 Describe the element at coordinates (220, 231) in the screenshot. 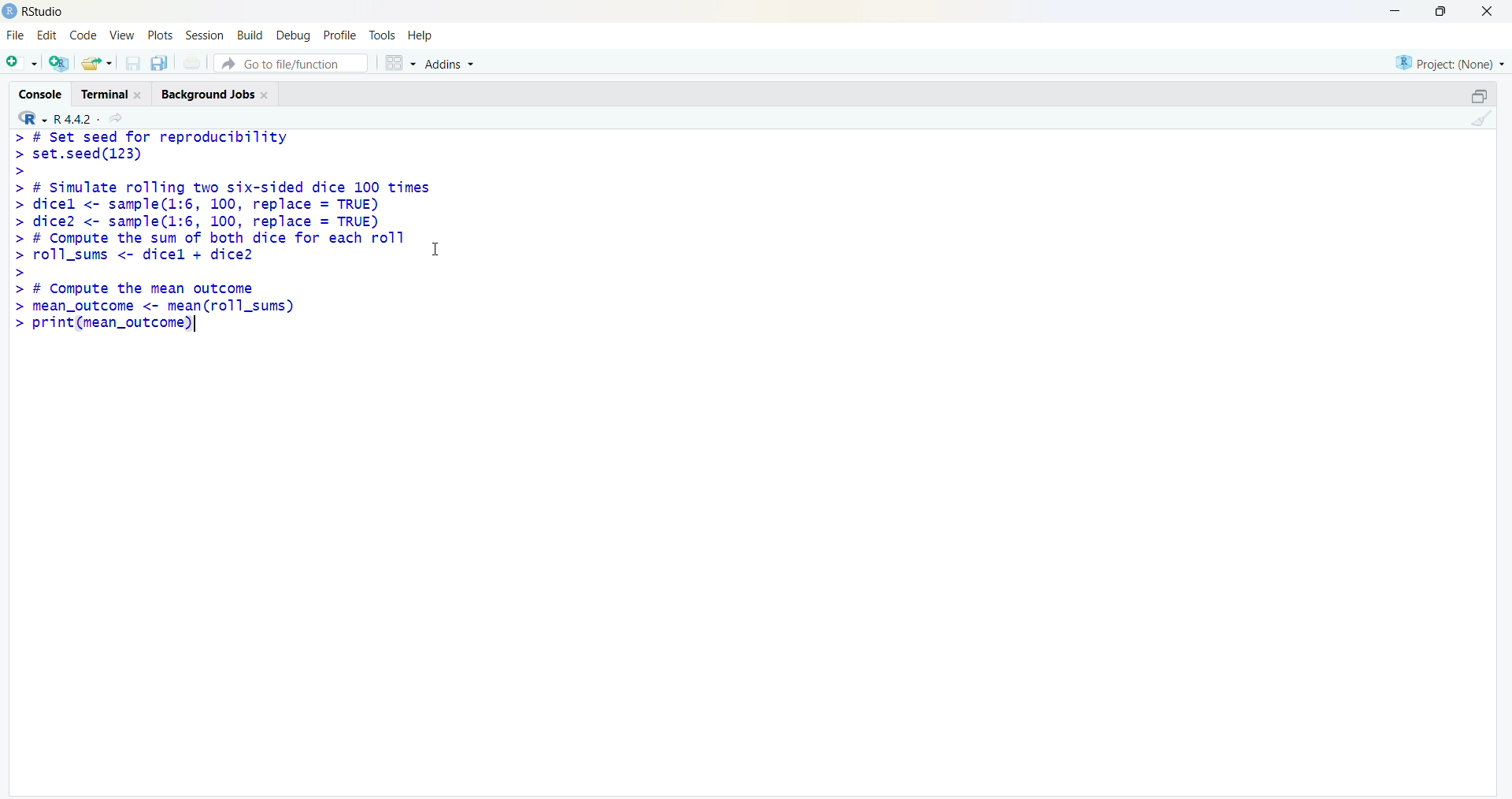

I see `> # Set seed for reproducibility> set.seed(123)>> # Simulate rolling two six-sided dice 100 times> dicel <- sample(1:6, 100, replace = TRUE)> dice2 <- sample(1:6, 100, replace = TRUE)> # Compute the sum of both dice for each rollroll_sums <- dicel + dice2# Compute the mean outcomemean_outcome <- mean(roll_sums)>> print(mean_outcome)` at that location.